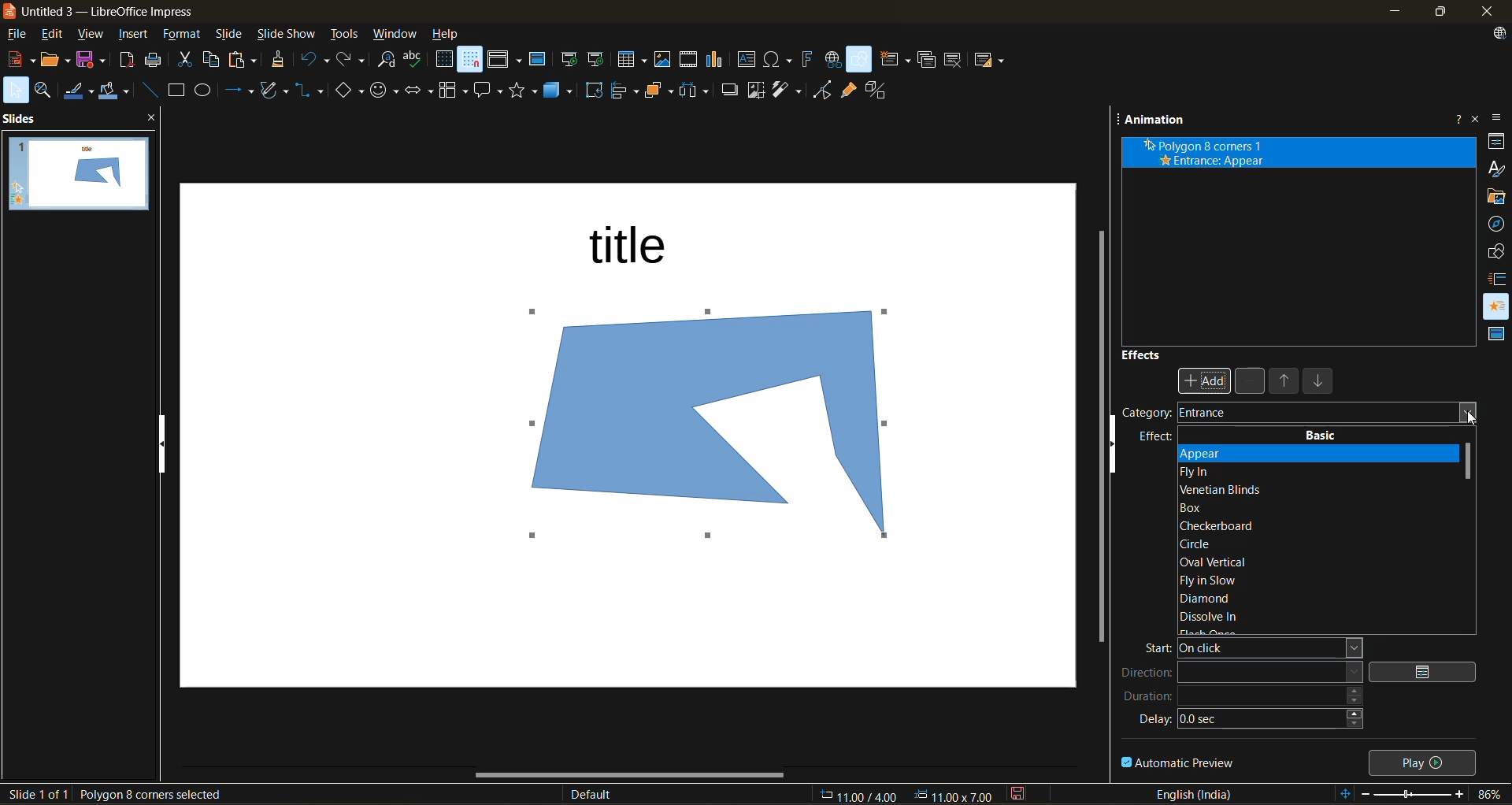  I want to click on shape inserted, so click(721, 429).